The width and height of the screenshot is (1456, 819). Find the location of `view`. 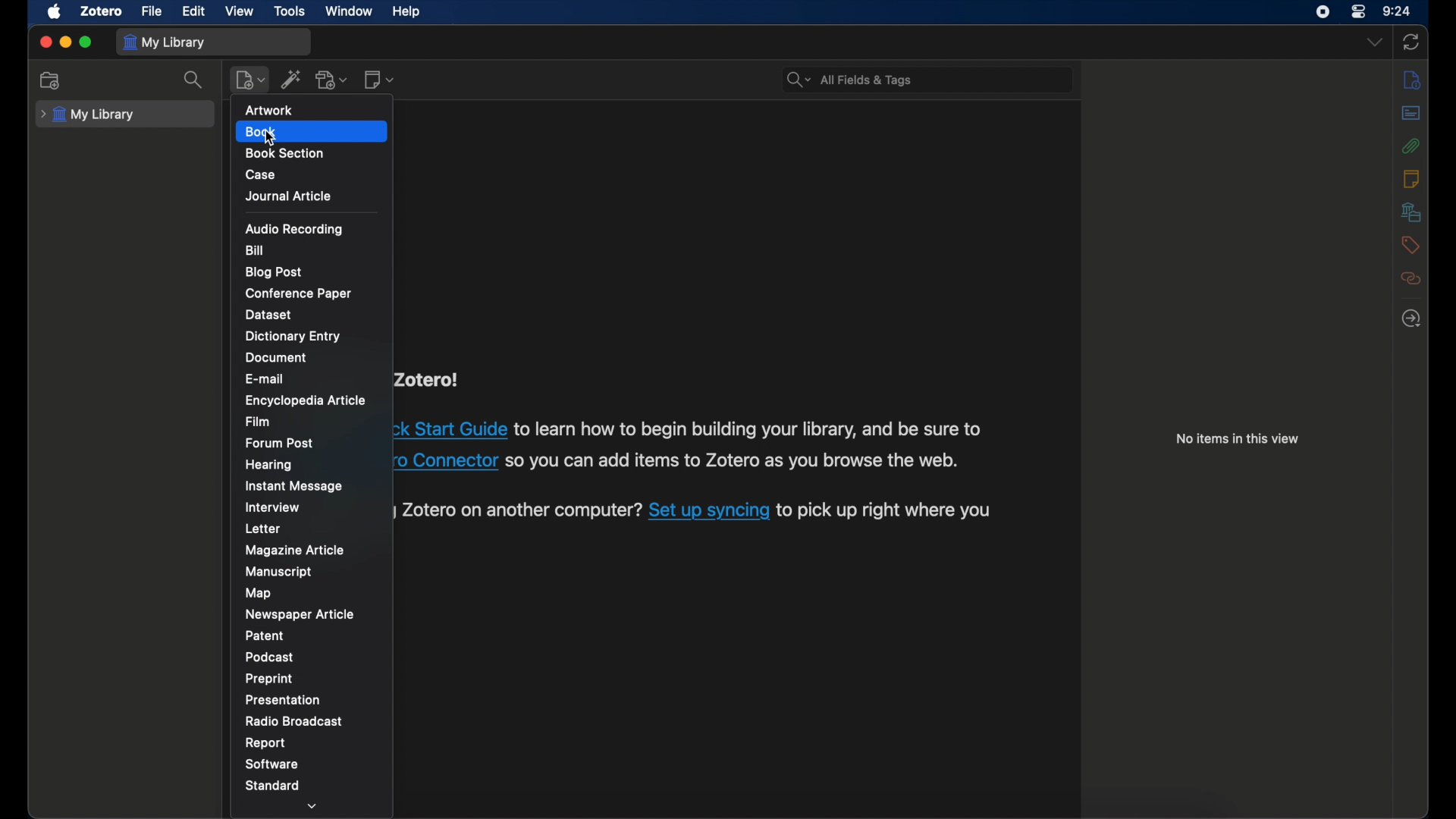

view is located at coordinates (238, 11).